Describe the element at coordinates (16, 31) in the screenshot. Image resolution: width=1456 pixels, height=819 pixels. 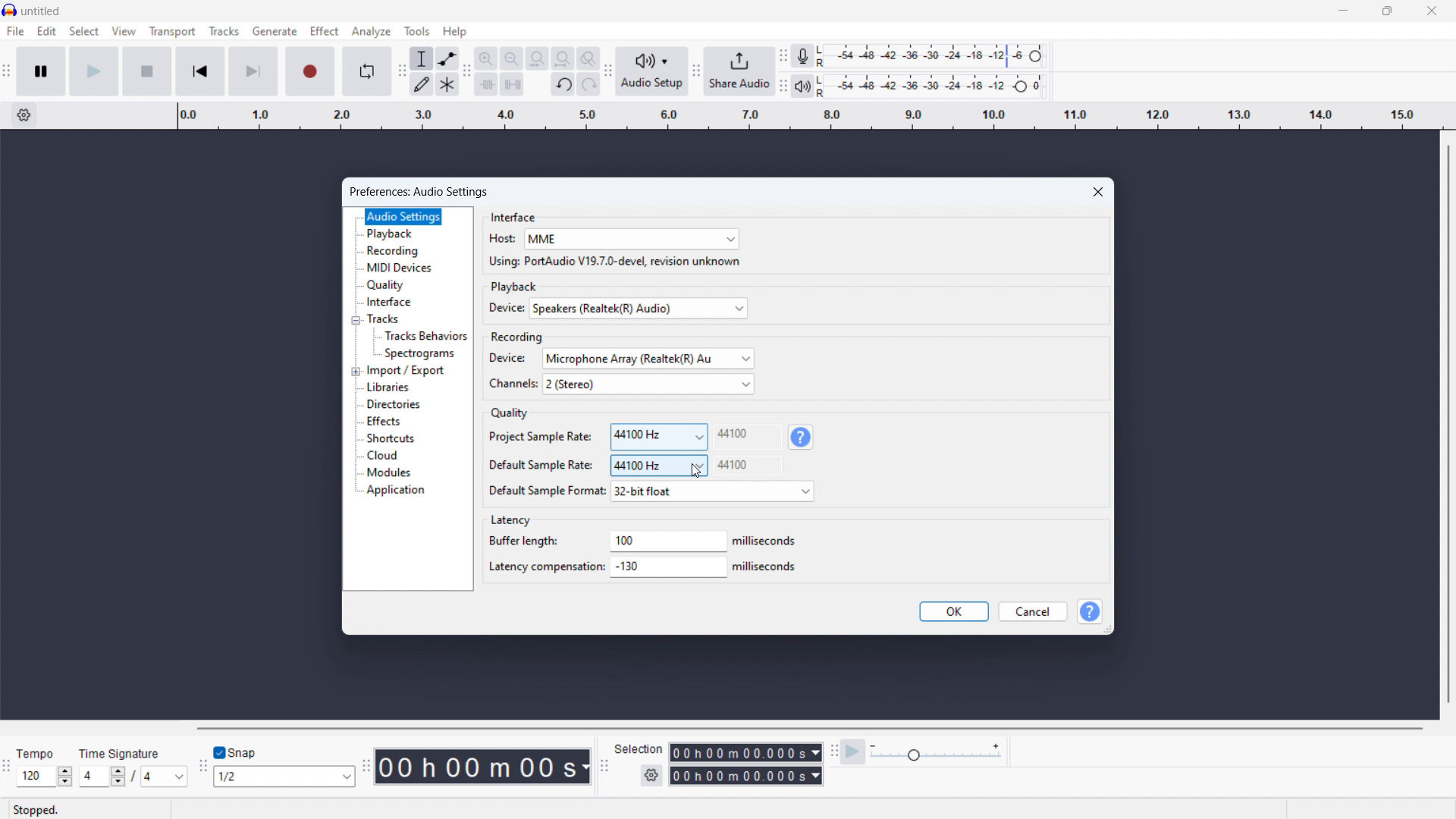
I see `file` at that location.